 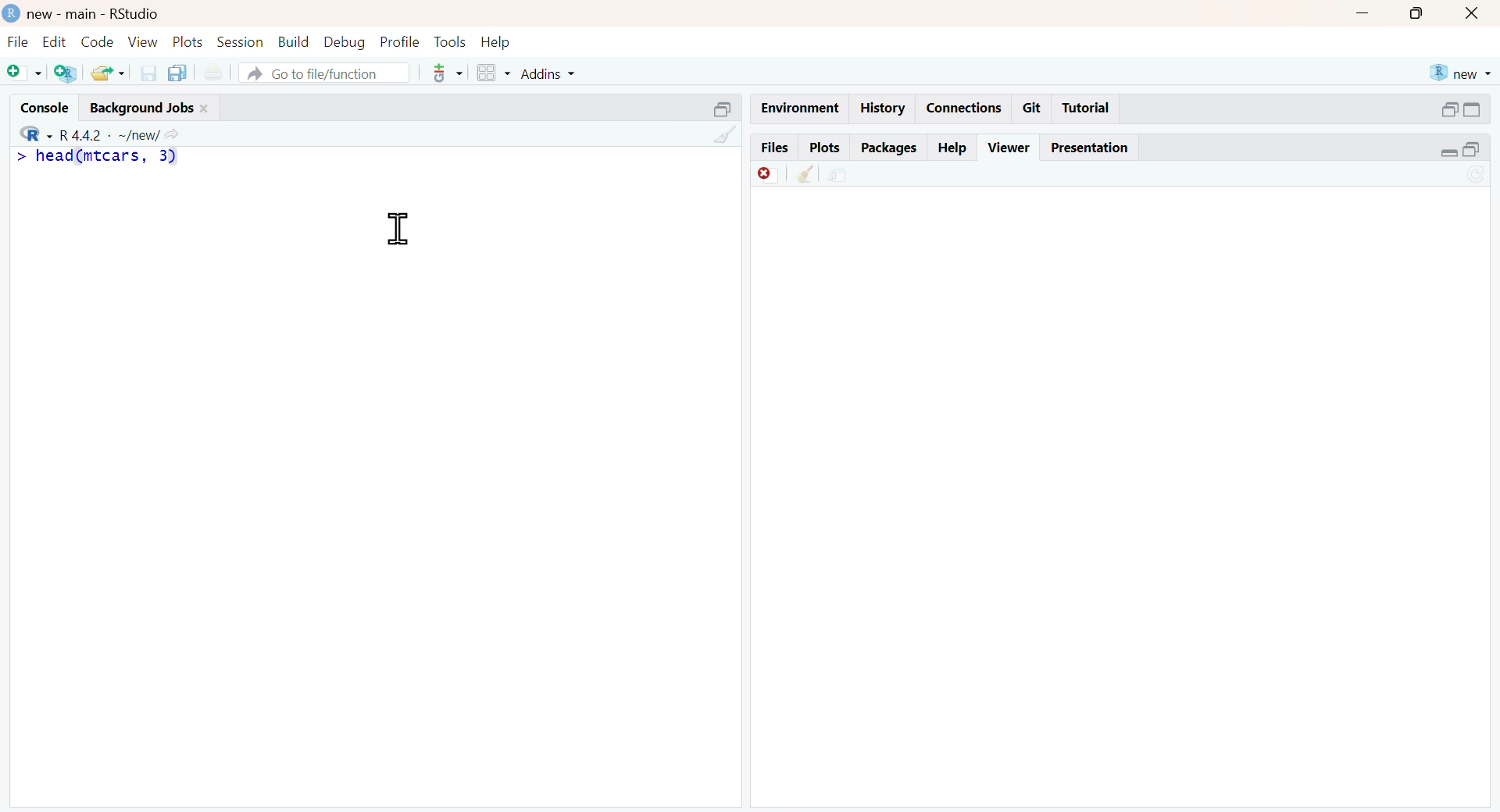 What do you see at coordinates (503, 40) in the screenshot?
I see `Help` at bounding box center [503, 40].